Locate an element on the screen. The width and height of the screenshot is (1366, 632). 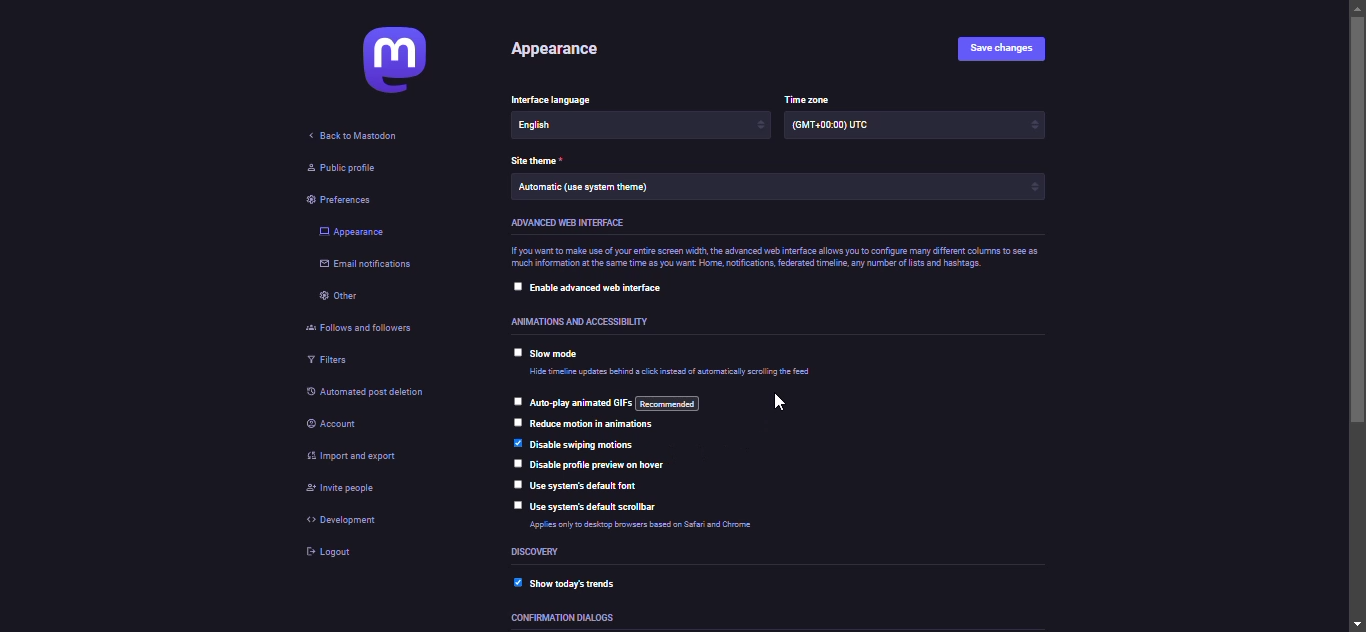
appearance is located at coordinates (352, 231).